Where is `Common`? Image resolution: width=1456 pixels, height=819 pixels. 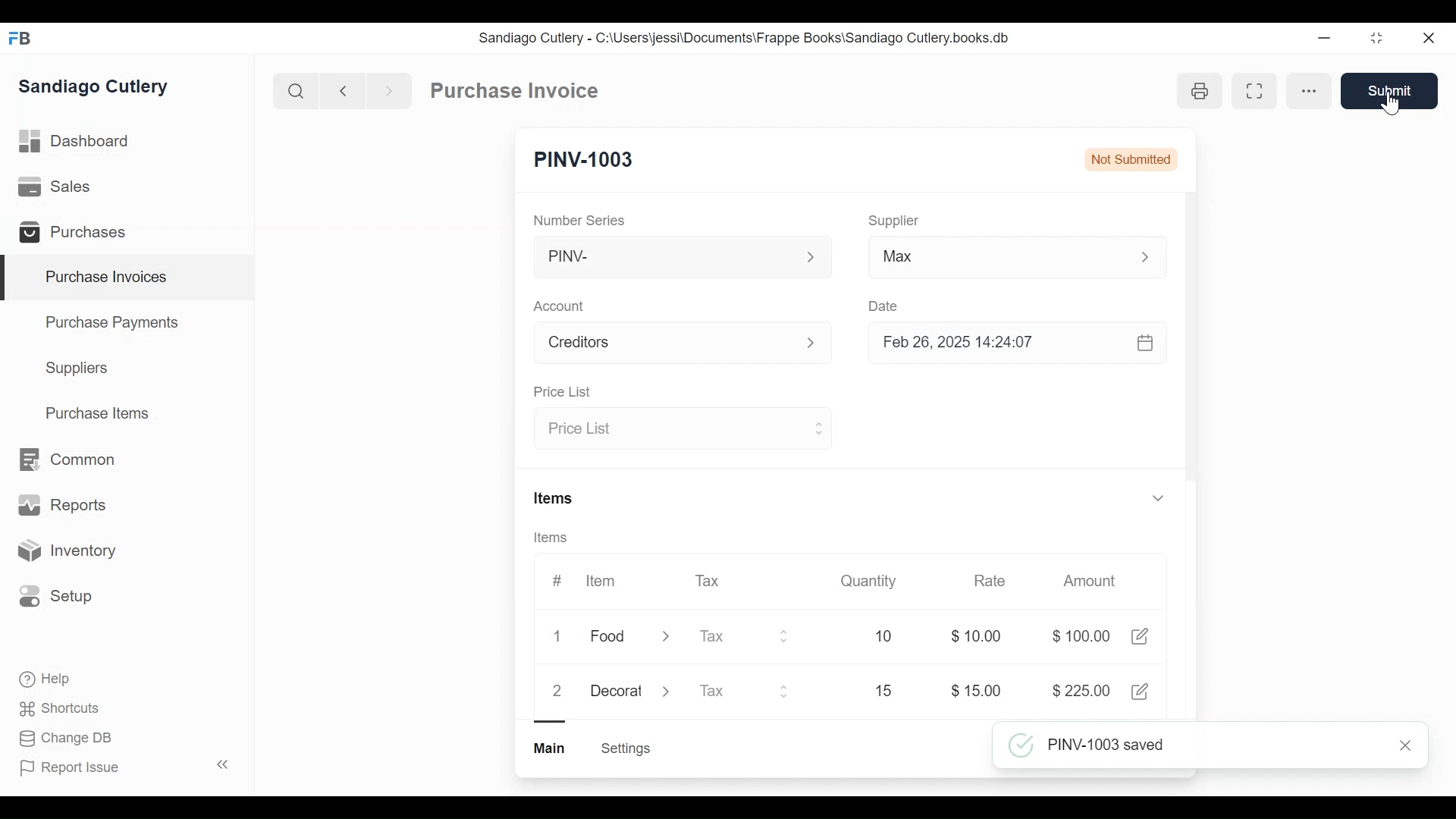 Common is located at coordinates (65, 460).